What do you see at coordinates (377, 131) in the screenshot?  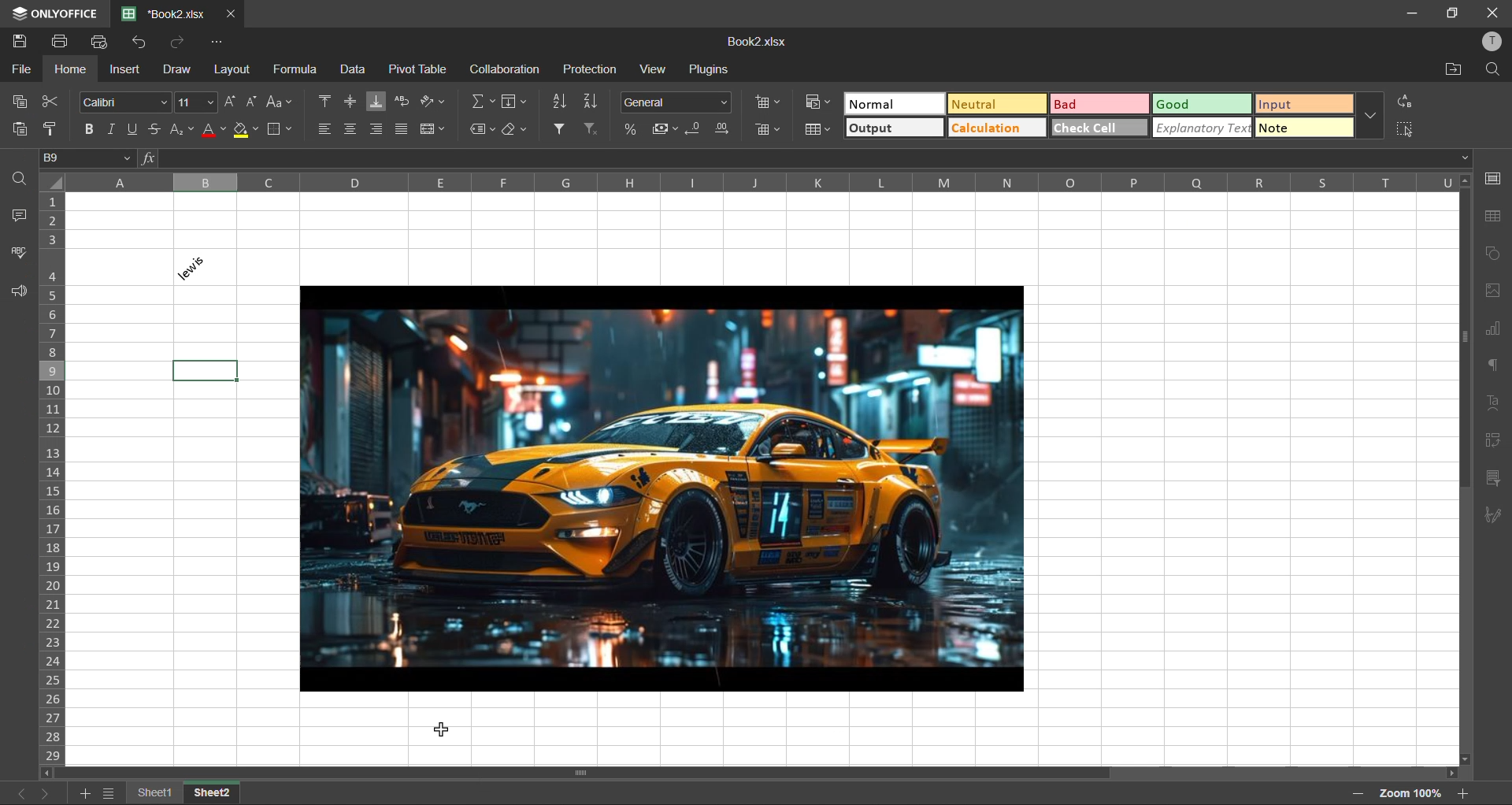 I see `align right` at bounding box center [377, 131].